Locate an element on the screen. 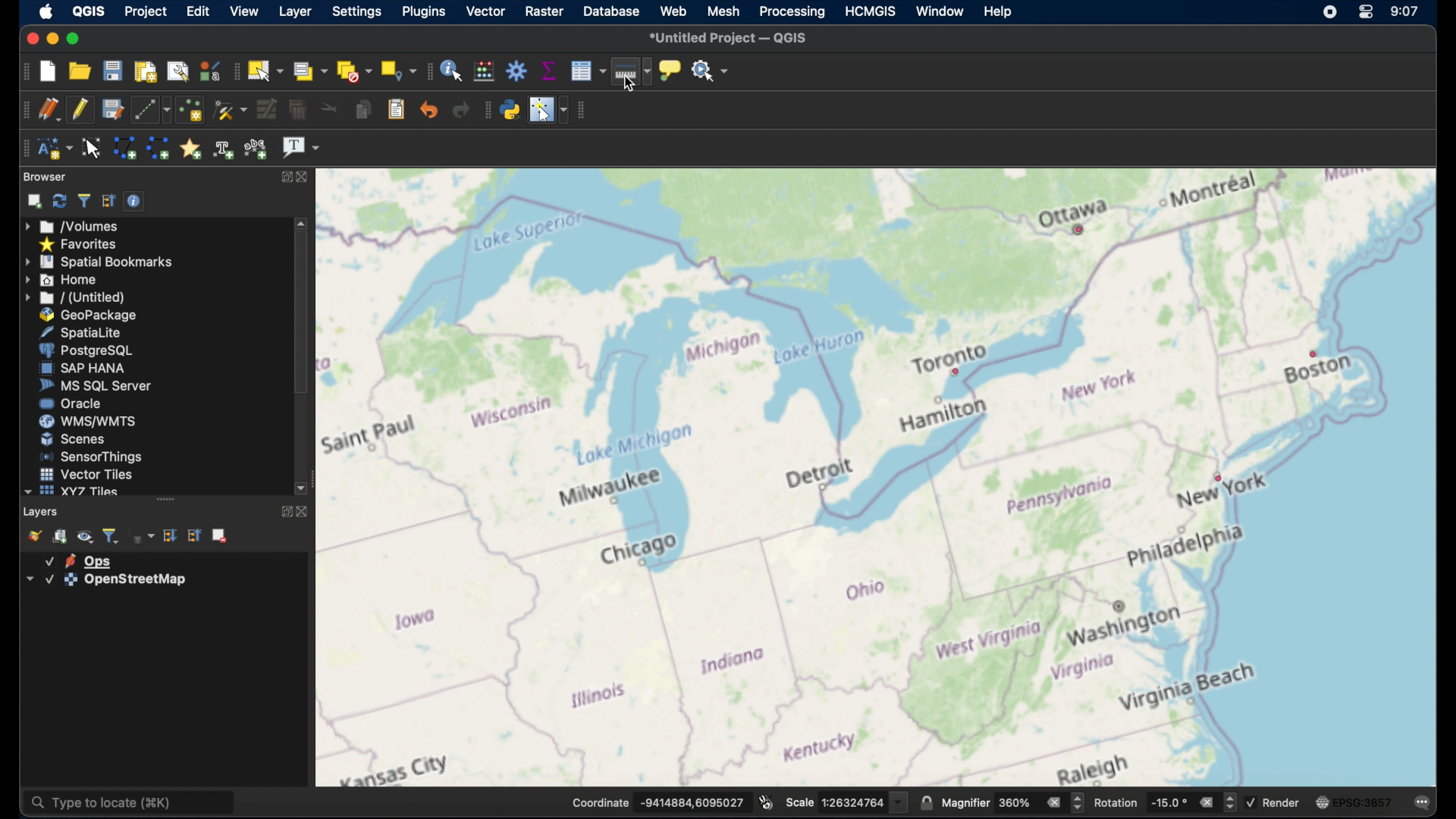 This screenshot has width=1456, height=819. enable/disable properties widget is located at coordinates (134, 200).